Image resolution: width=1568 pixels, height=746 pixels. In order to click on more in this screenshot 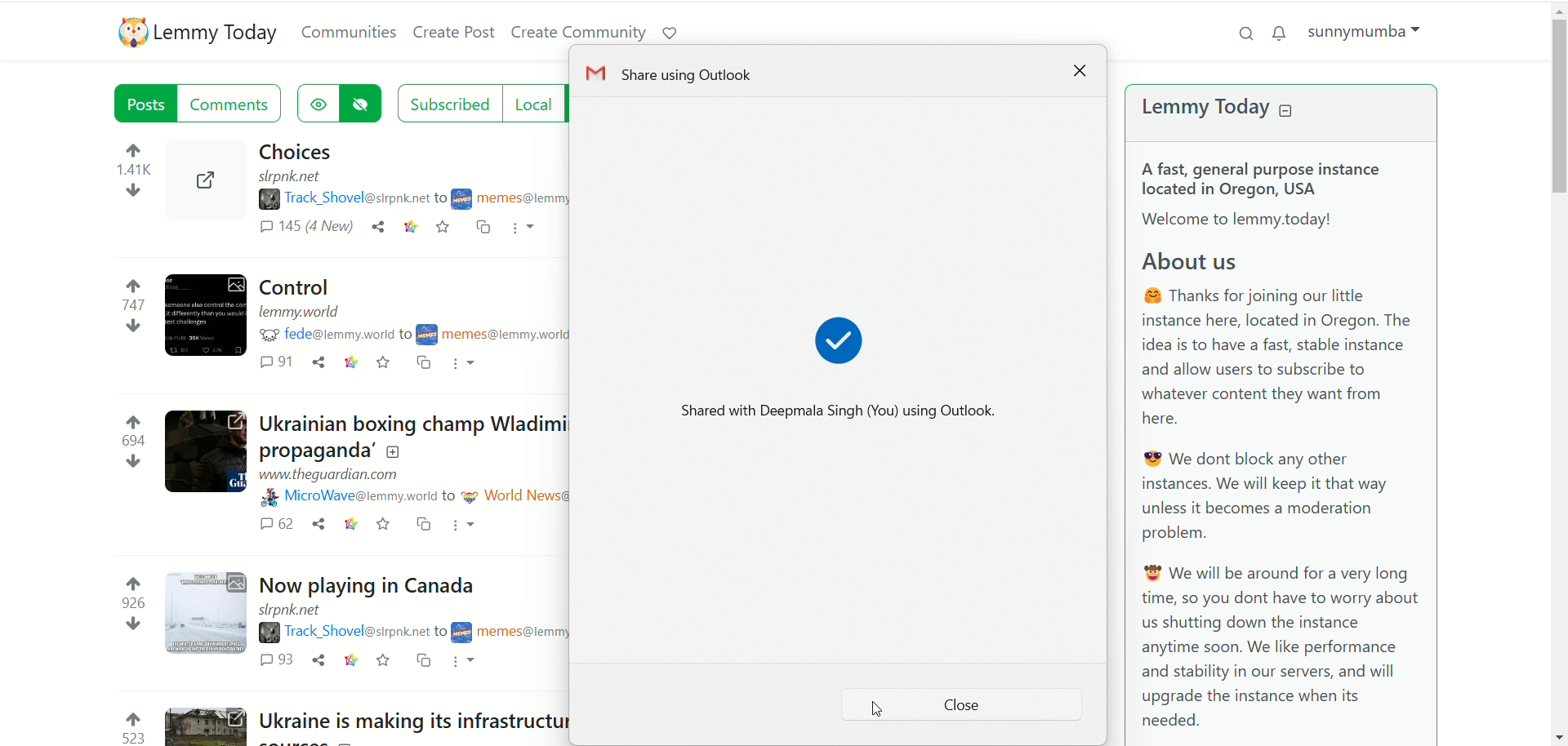, I will do `click(469, 363)`.